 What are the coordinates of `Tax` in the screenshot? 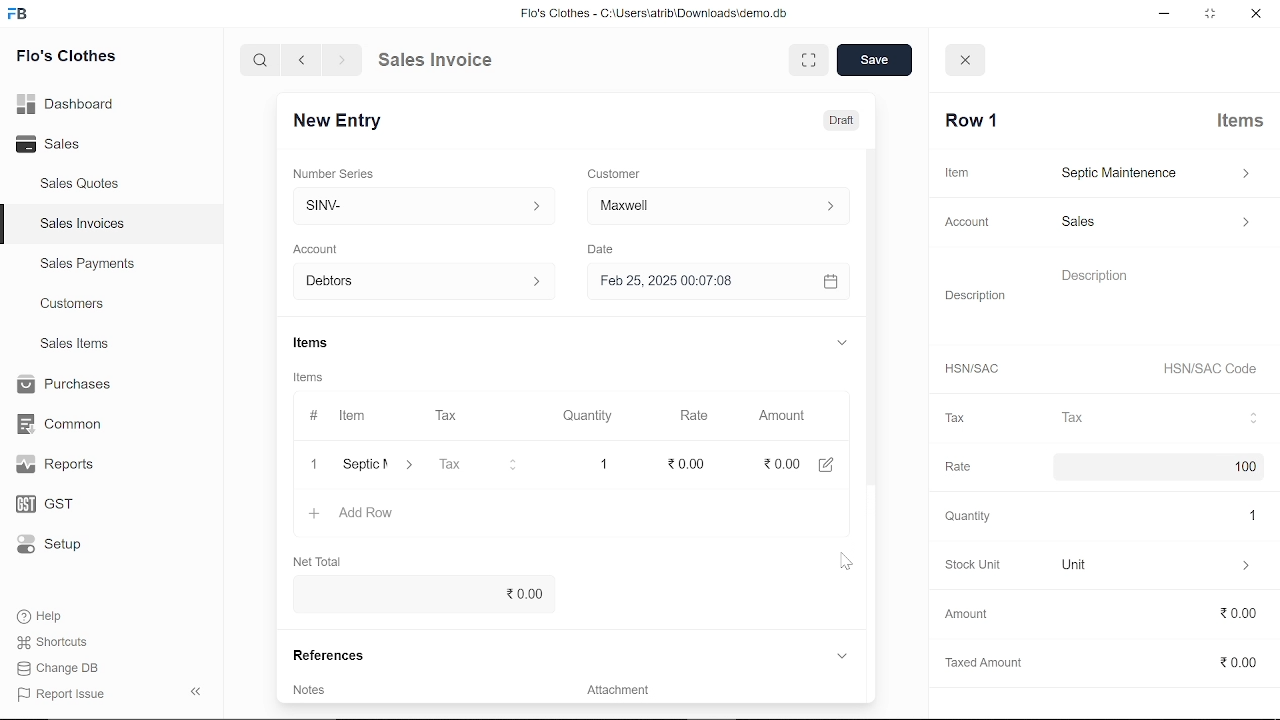 It's located at (954, 419).